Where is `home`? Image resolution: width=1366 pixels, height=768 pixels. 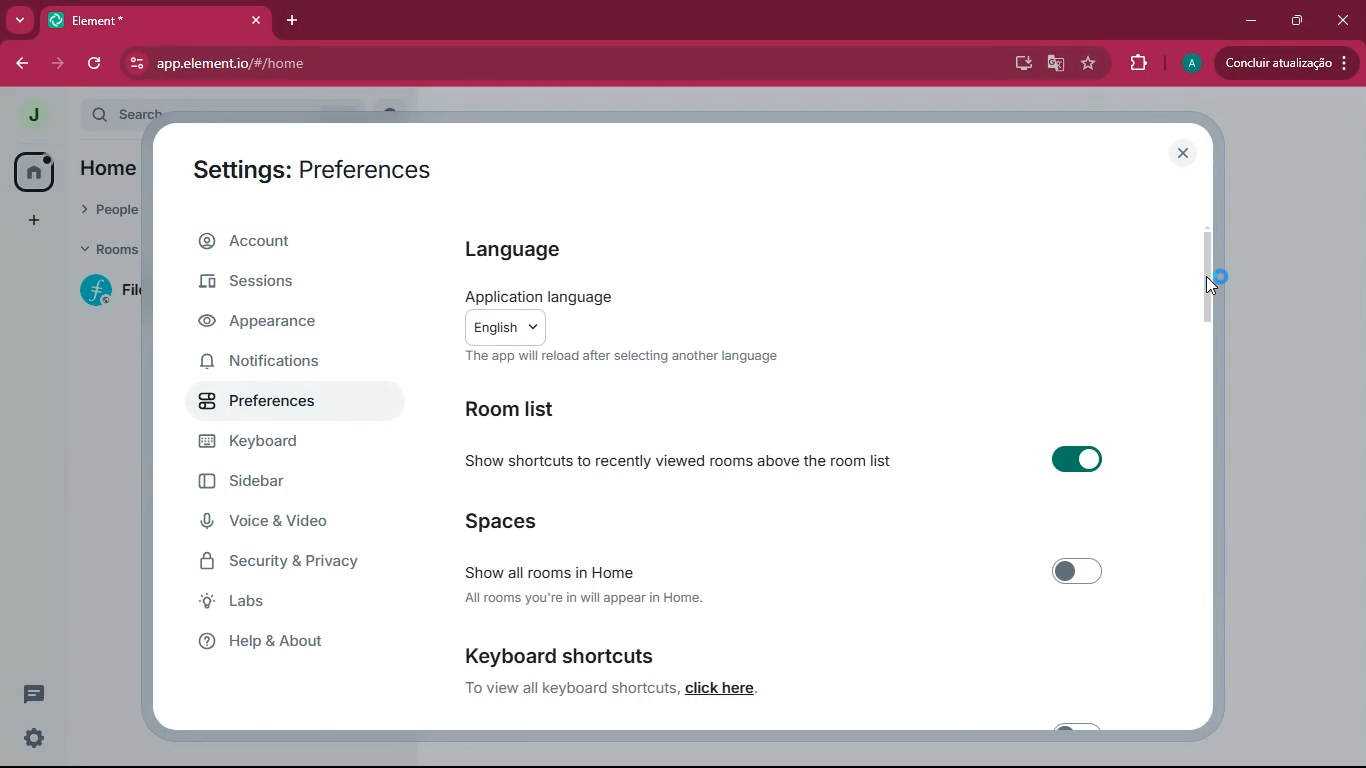 home is located at coordinates (33, 171).